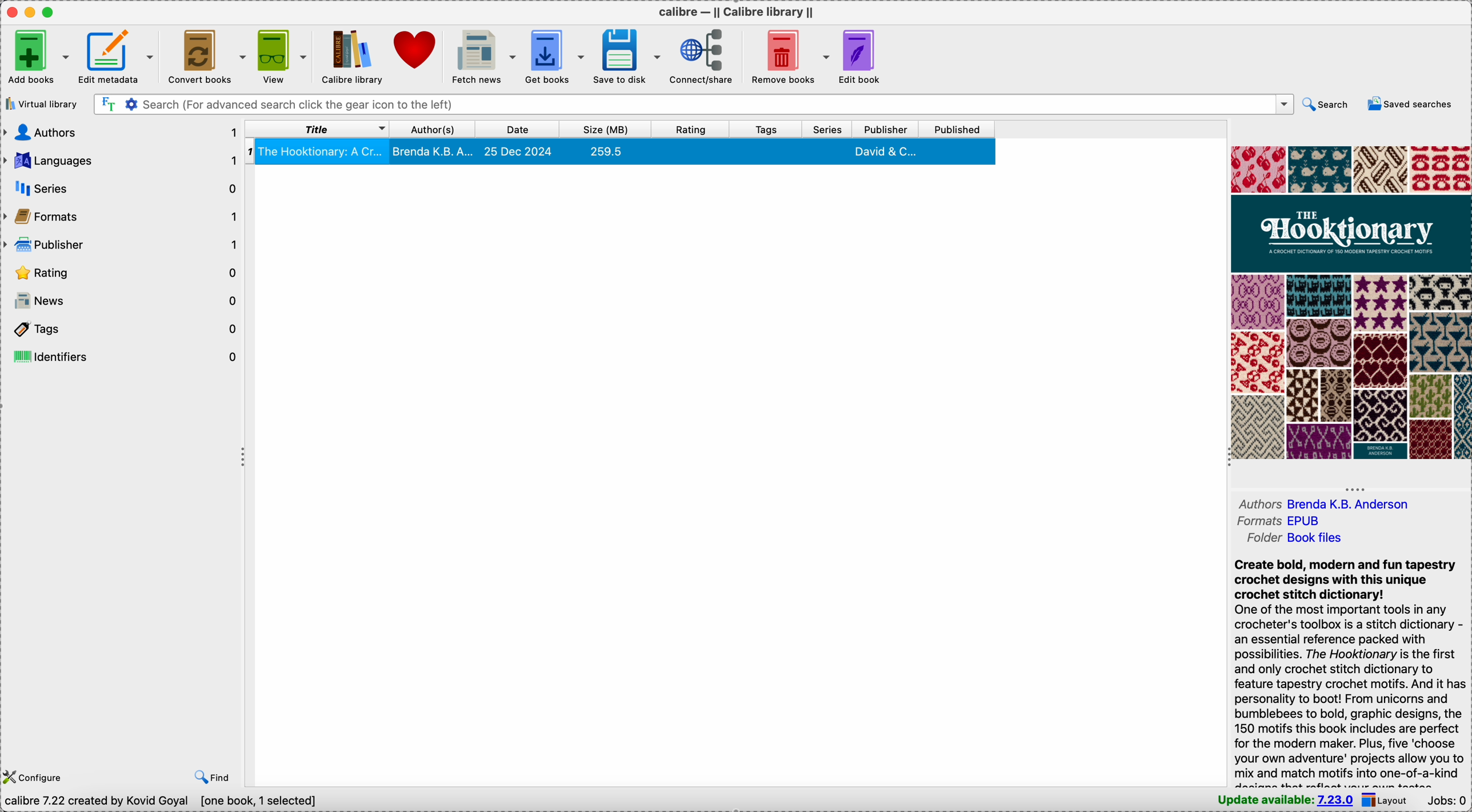 This screenshot has height=812, width=1472. I want to click on close Calibre, so click(12, 13).